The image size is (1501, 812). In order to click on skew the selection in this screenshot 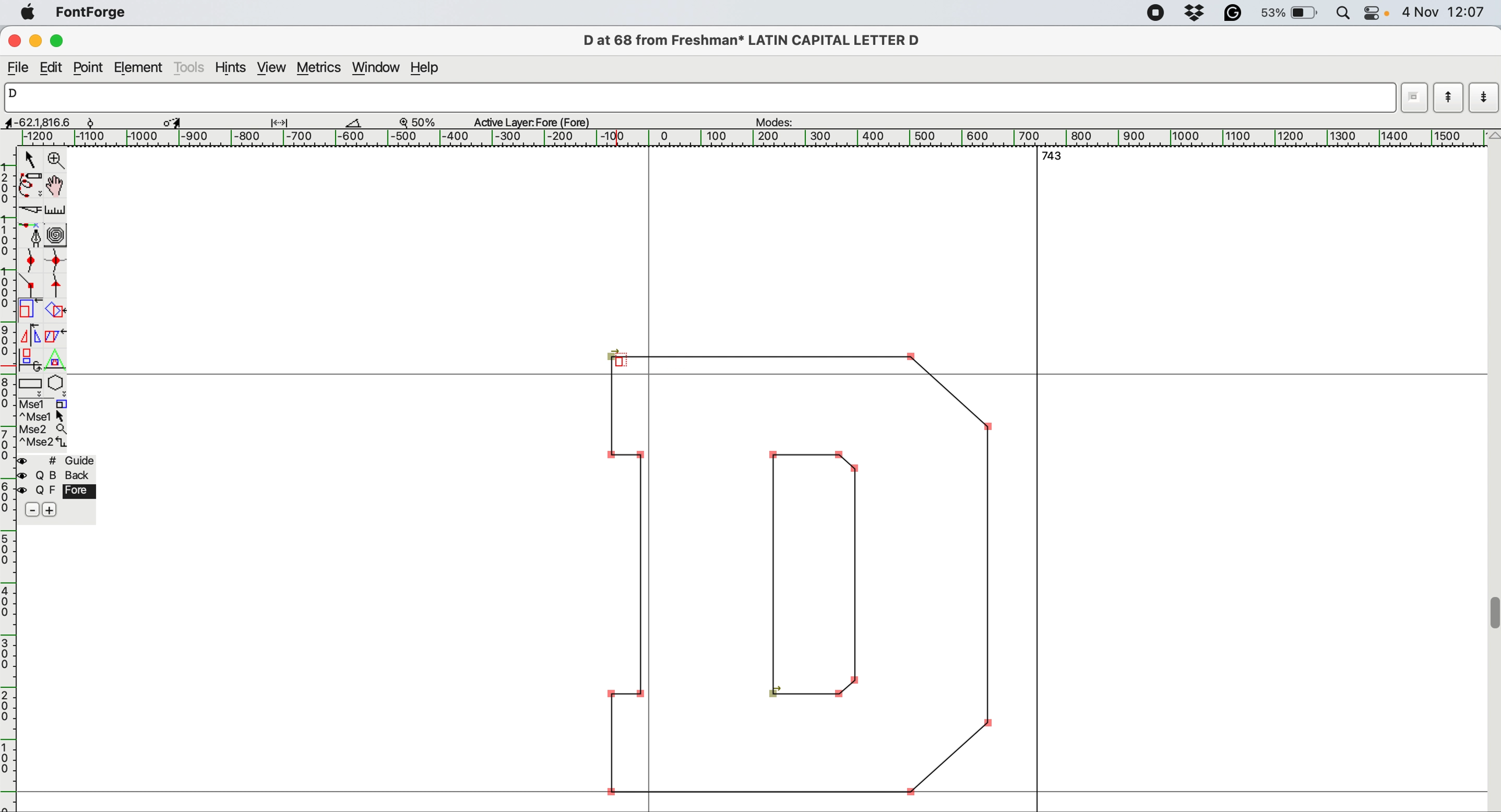, I will do `click(55, 336)`.